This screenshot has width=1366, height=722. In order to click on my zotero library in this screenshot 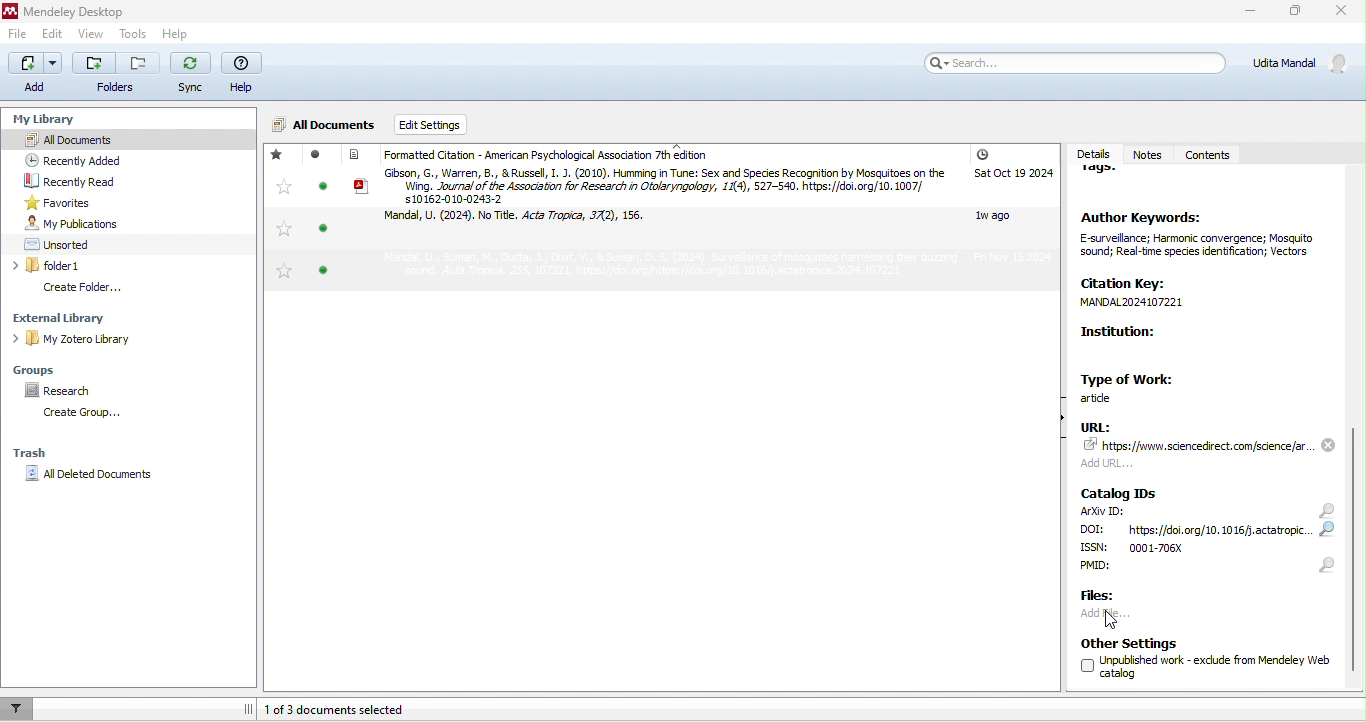, I will do `click(118, 338)`.